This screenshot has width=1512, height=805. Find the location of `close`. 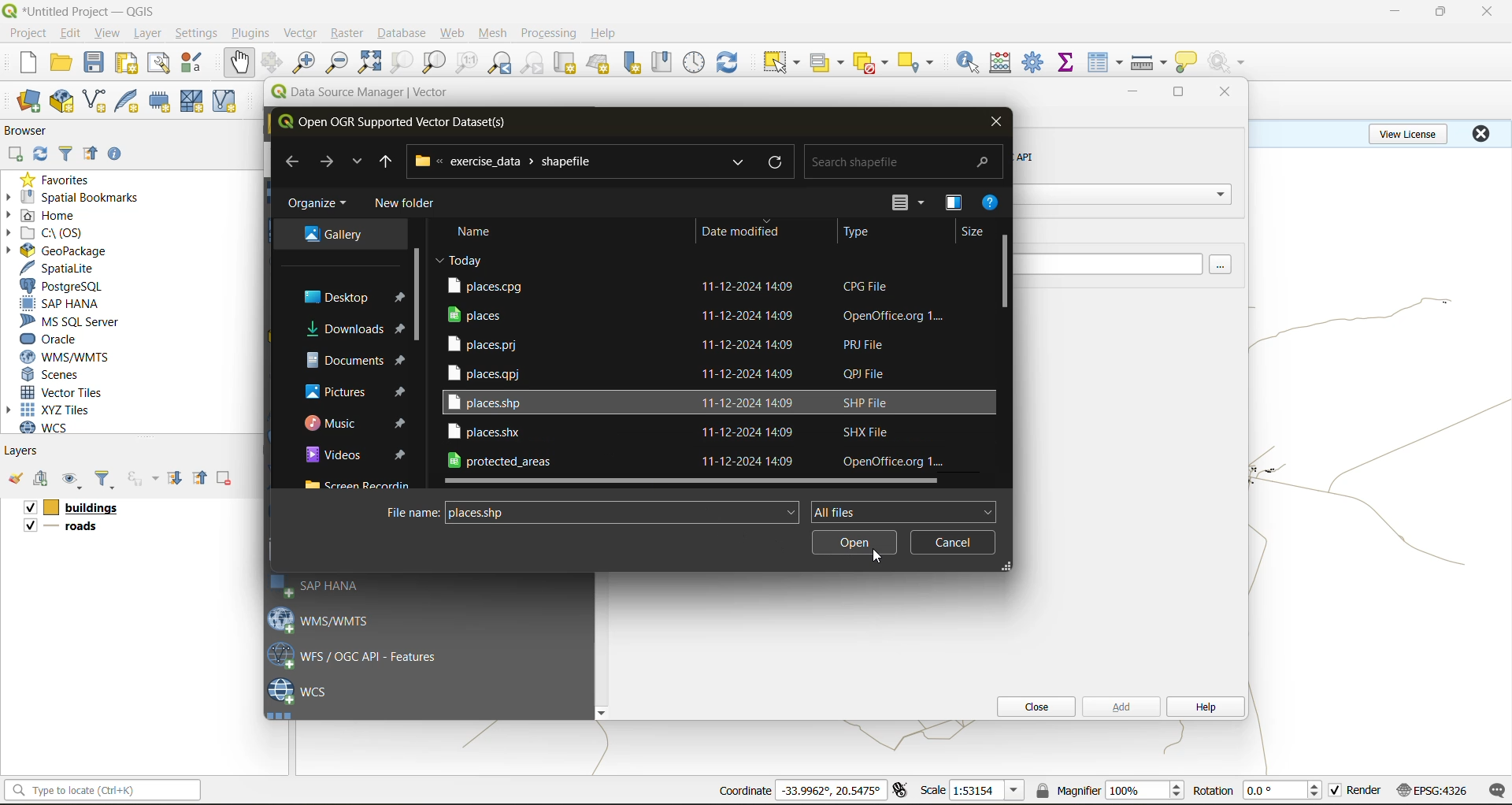

close is located at coordinates (1488, 12).